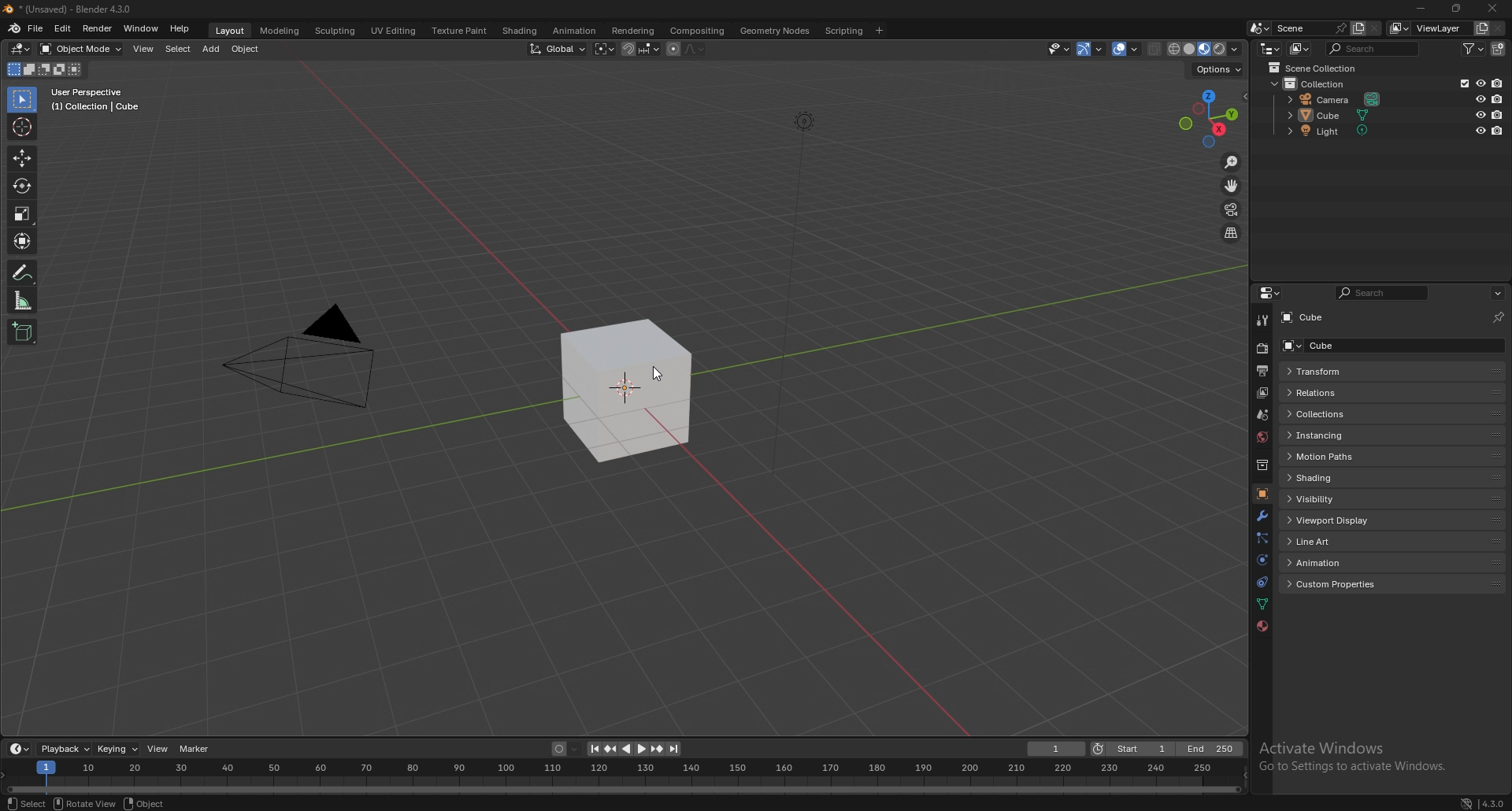 The image size is (1512, 811). I want to click on annotate, so click(22, 273).